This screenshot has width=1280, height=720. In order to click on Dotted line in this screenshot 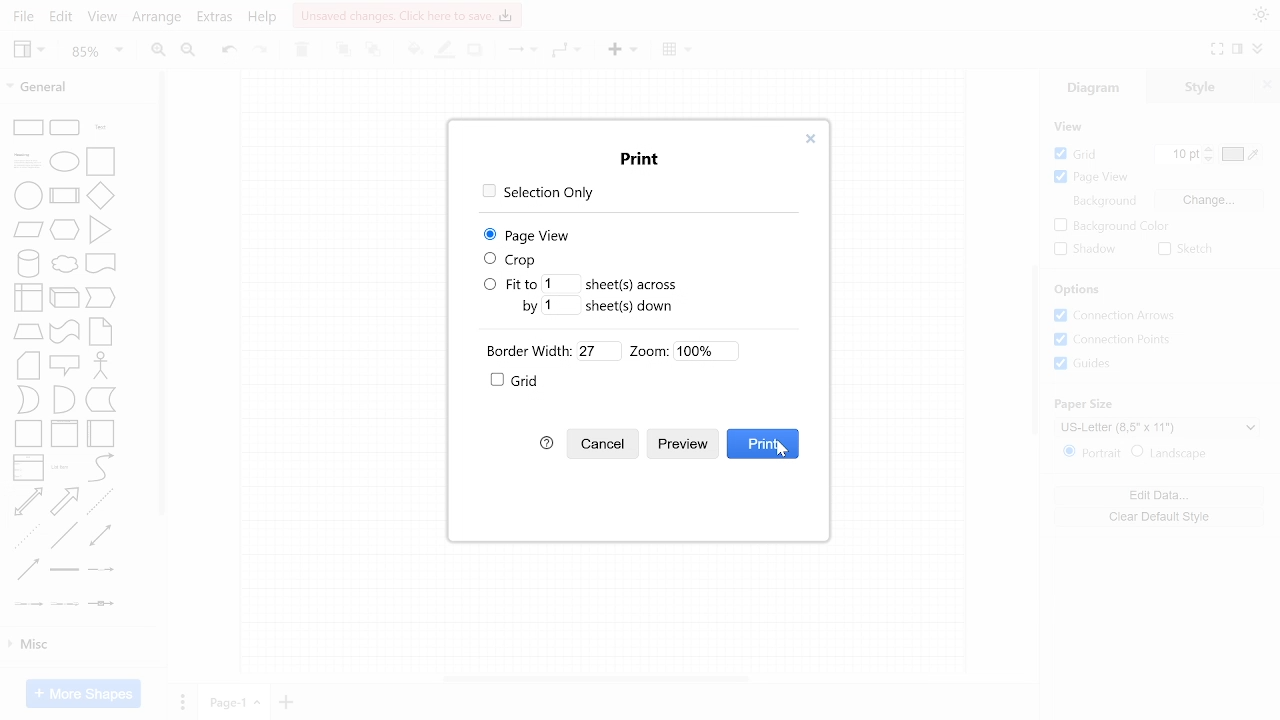, I will do `click(27, 536)`.